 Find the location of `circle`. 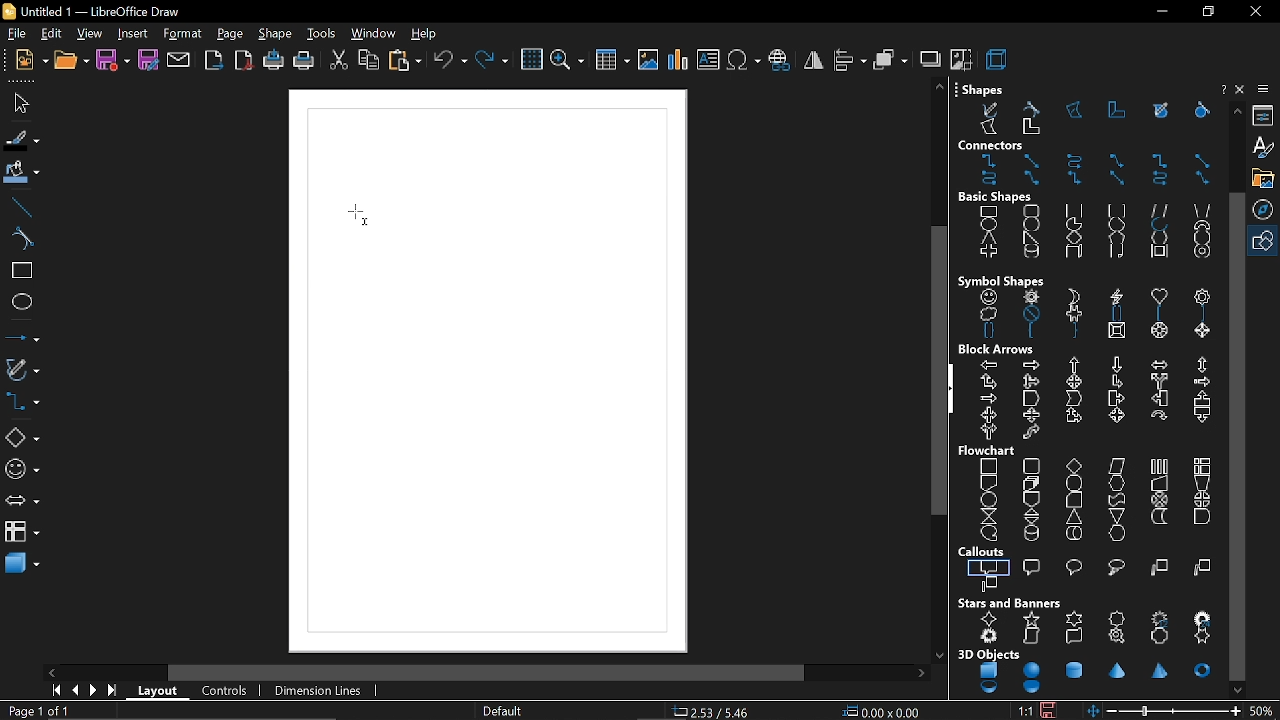

circle is located at coordinates (1032, 224).